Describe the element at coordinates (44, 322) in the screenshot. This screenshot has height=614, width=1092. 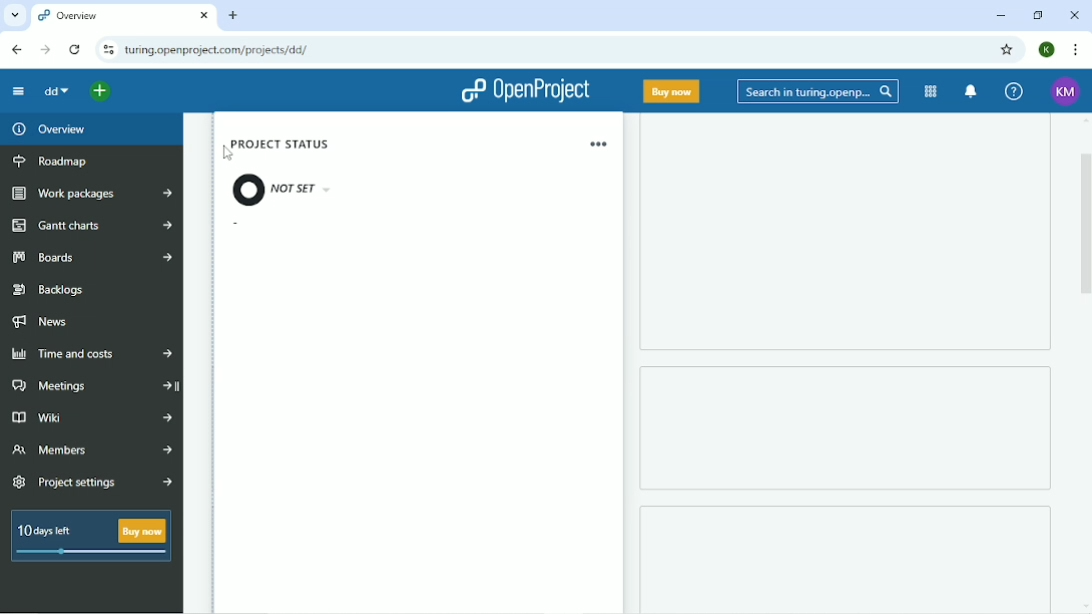
I see `News` at that location.